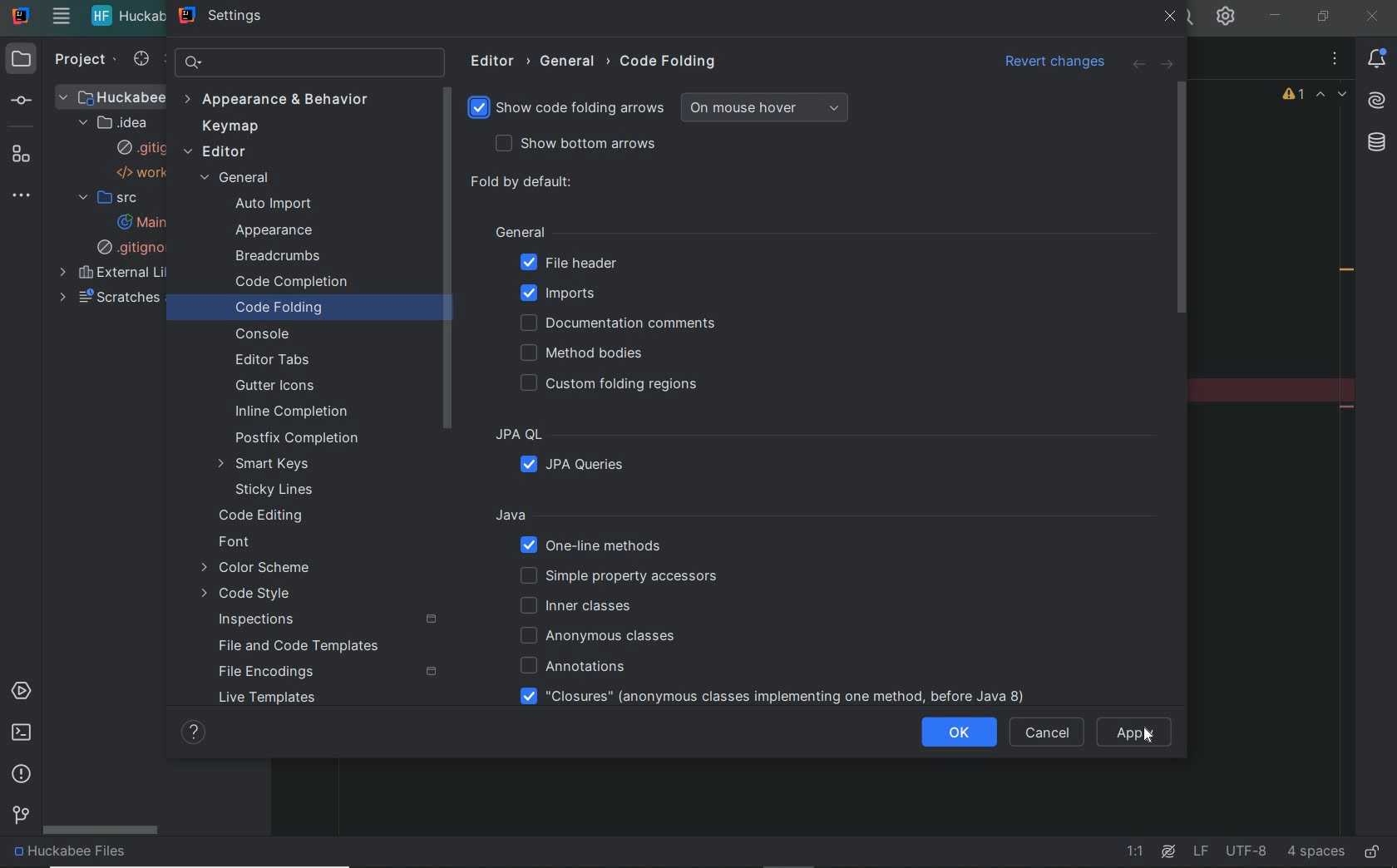  I want to click on ok, so click(963, 733).